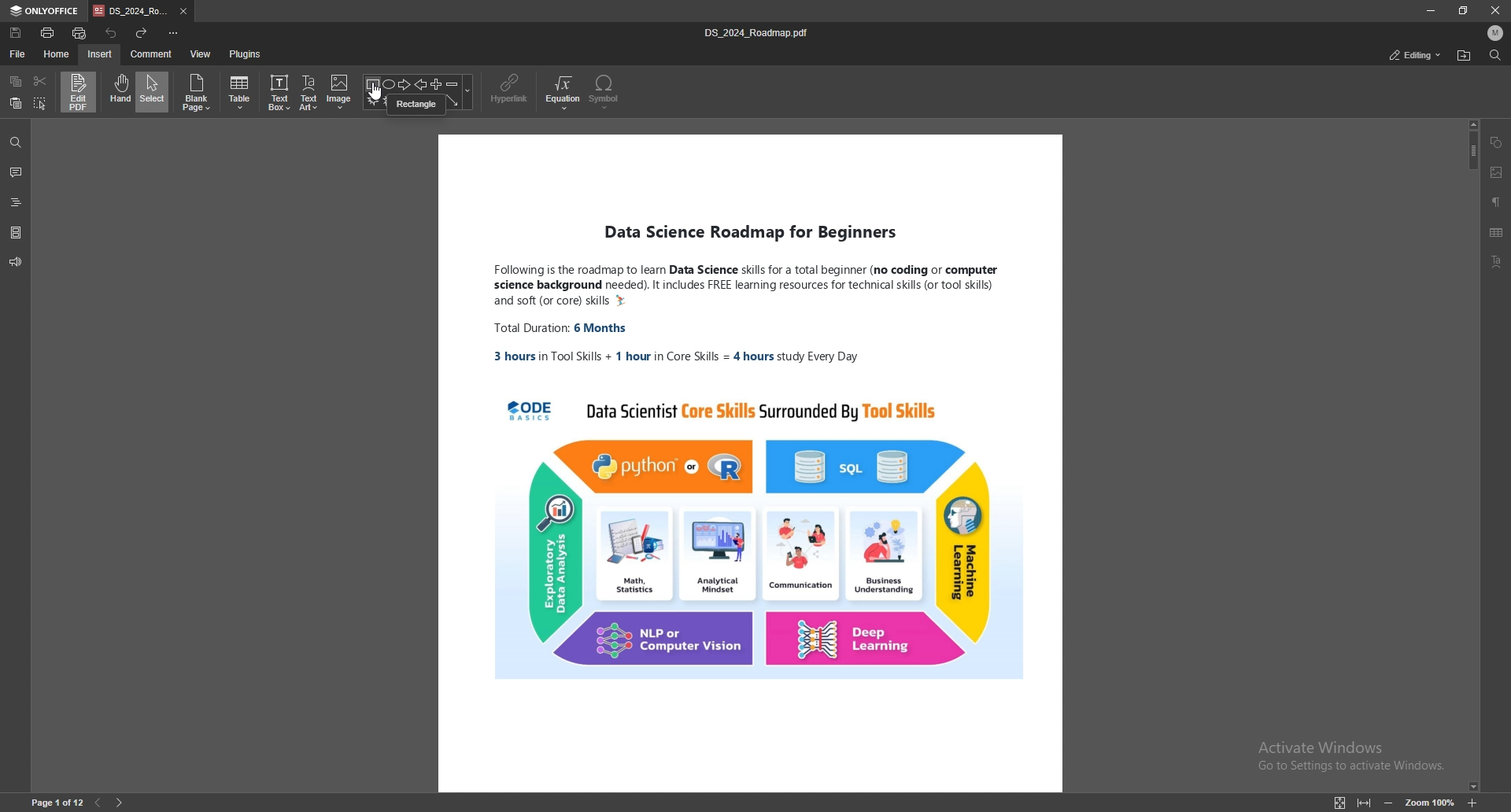 The width and height of the screenshot is (1511, 812). Describe the element at coordinates (1498, 233) in the screenshot. I see `table` at that location.